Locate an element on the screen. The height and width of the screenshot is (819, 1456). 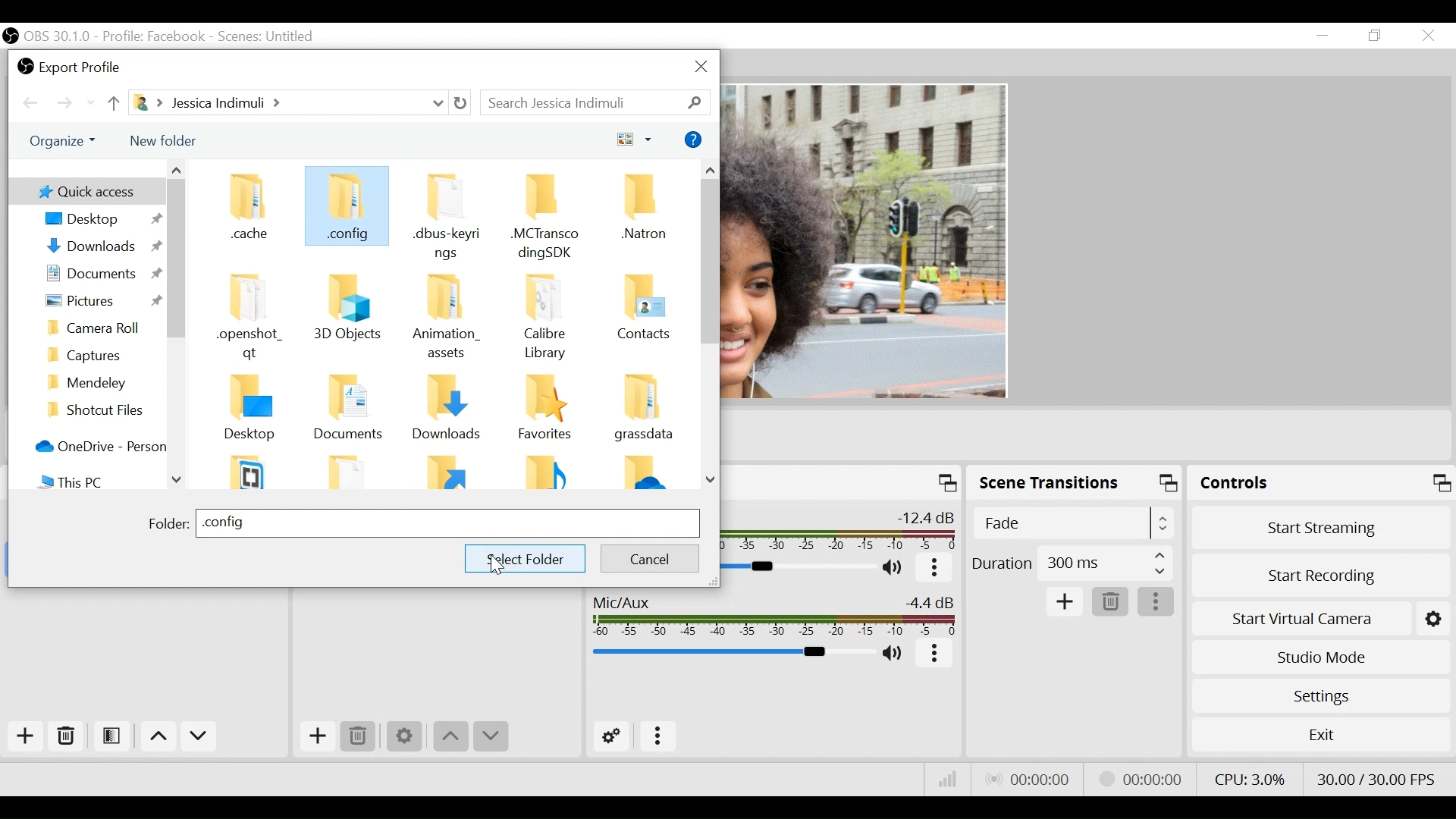
Scene is located at coordinates (271, 36).